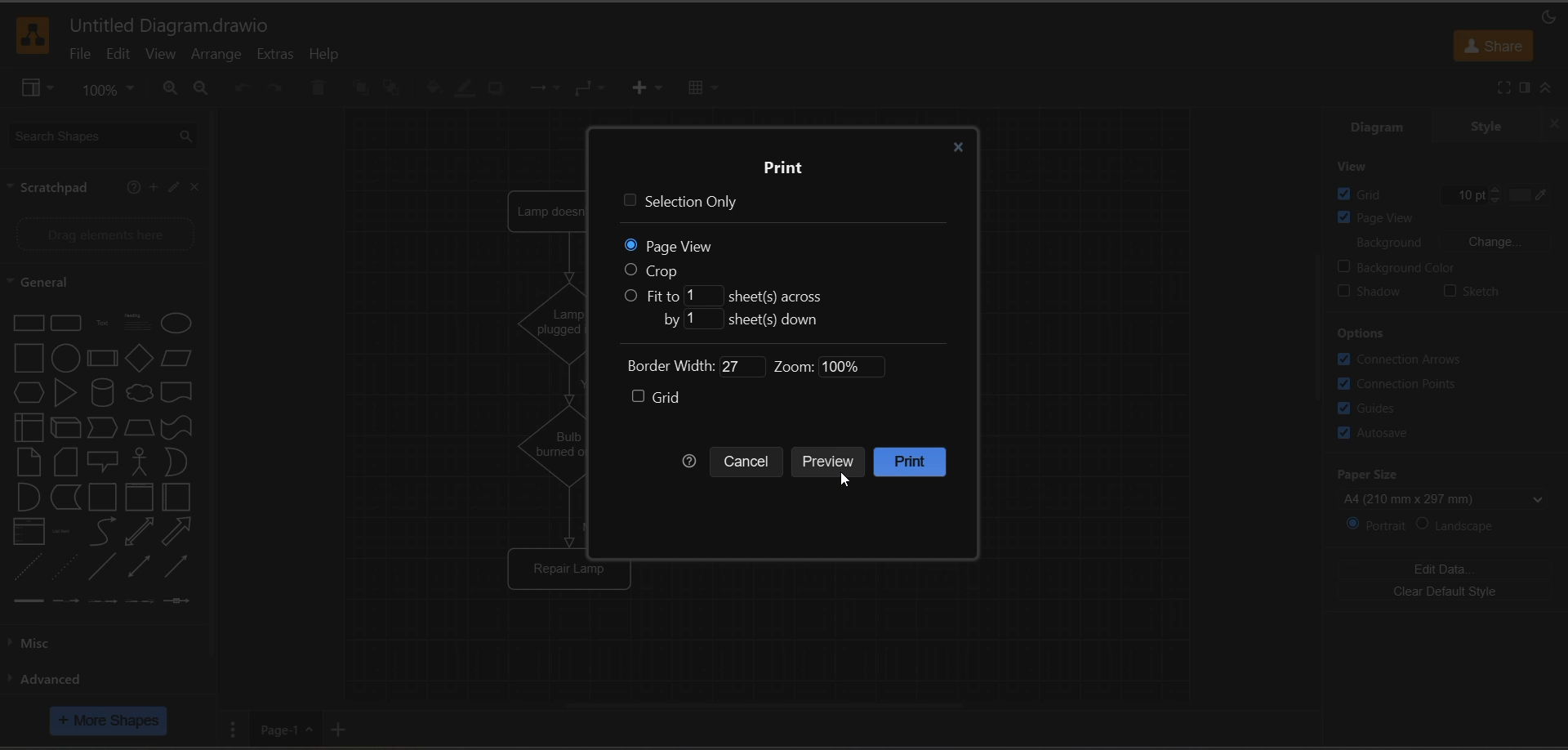 The image size is (1568, 750). I want to click on selection only, so click(681, 203).